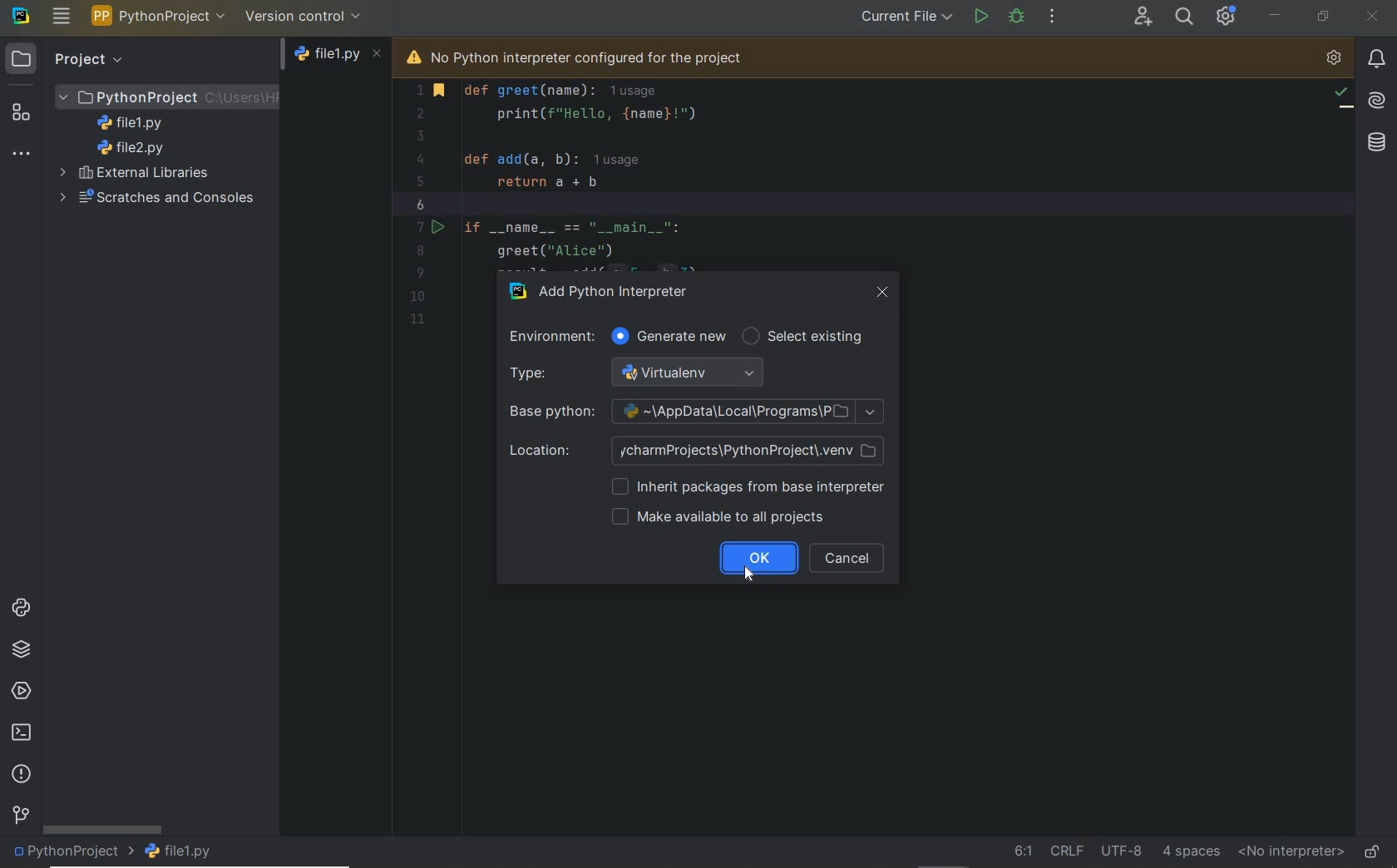  What do you see at coordinates (22, 649) in the screenshot?
I see `python packages` at bounding box center [22, 649].